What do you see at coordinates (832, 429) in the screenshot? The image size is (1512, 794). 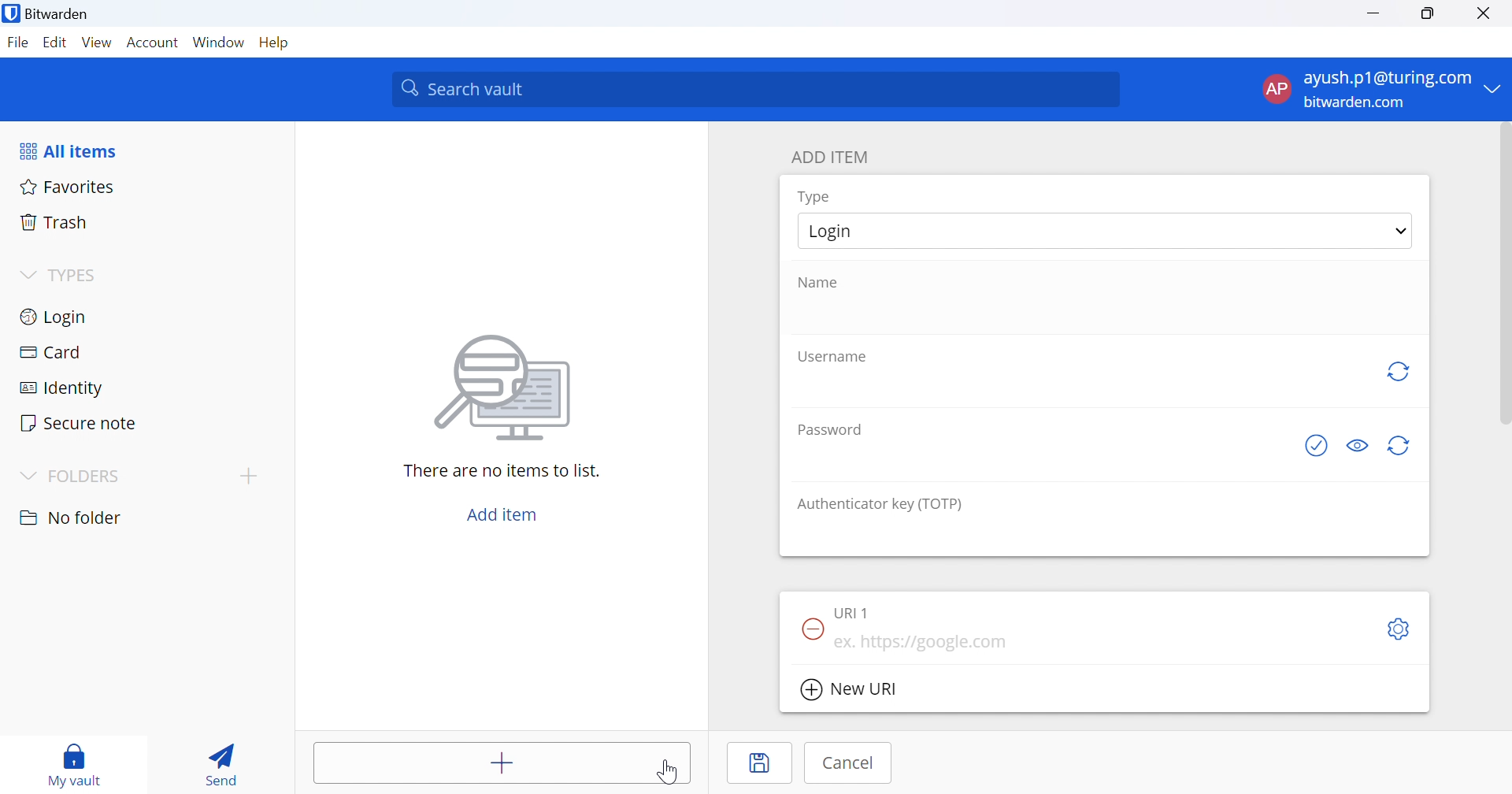 I see `Password` at bounding box center [832, 429].